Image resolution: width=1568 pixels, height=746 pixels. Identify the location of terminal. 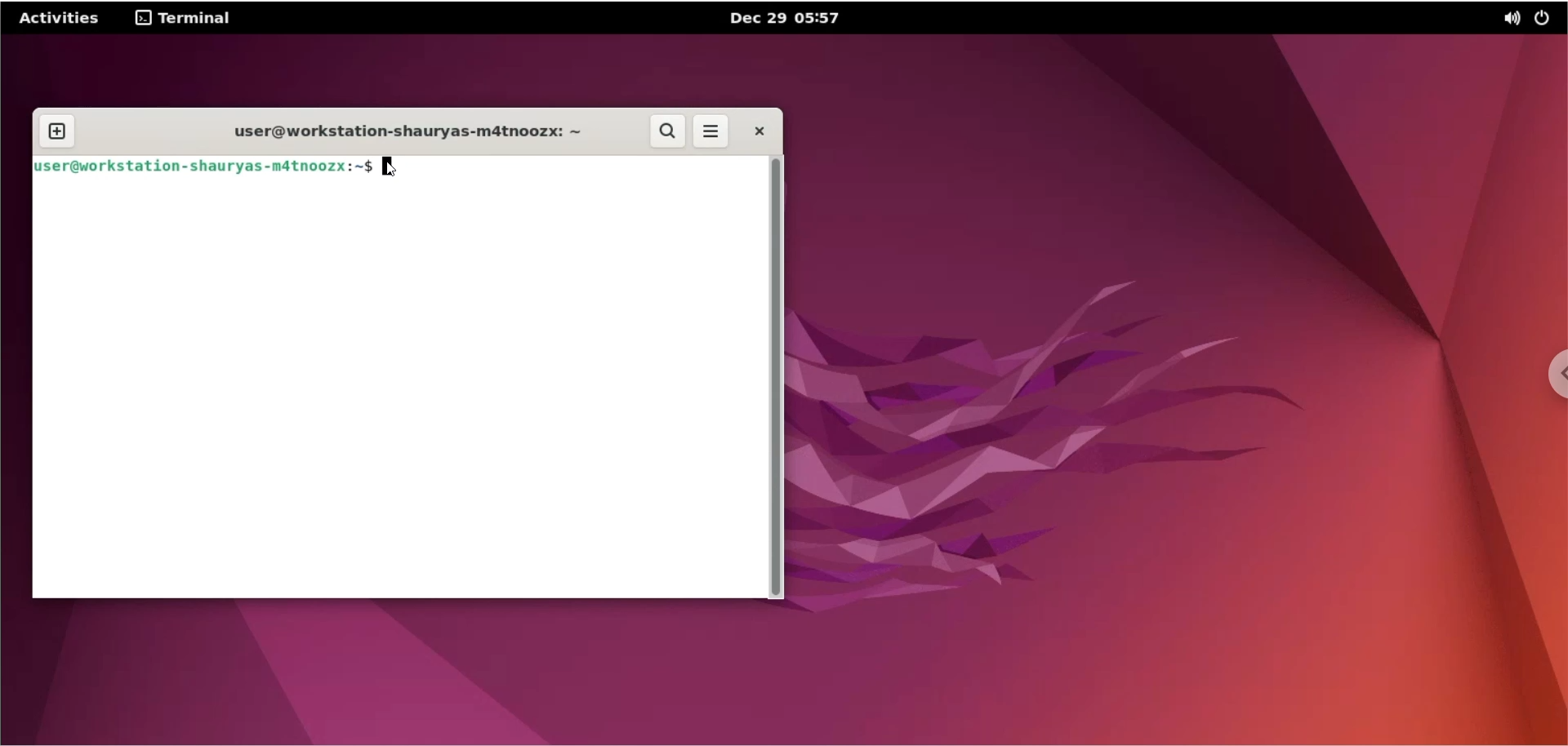
(185, 20).